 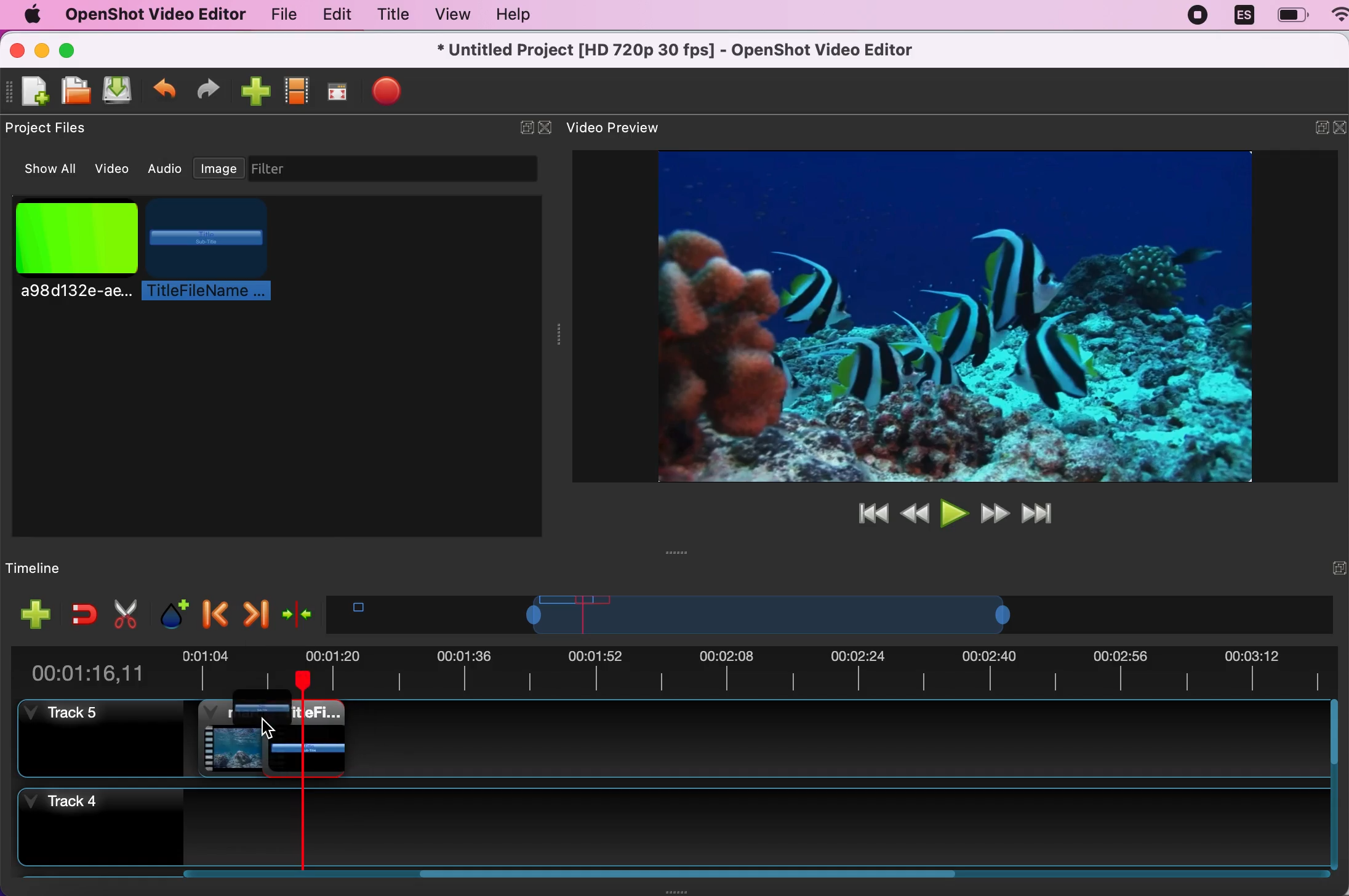 What do you see at coordinates (953, 511) in the screenshot?
I see `play` at bounding box center [953, 511].